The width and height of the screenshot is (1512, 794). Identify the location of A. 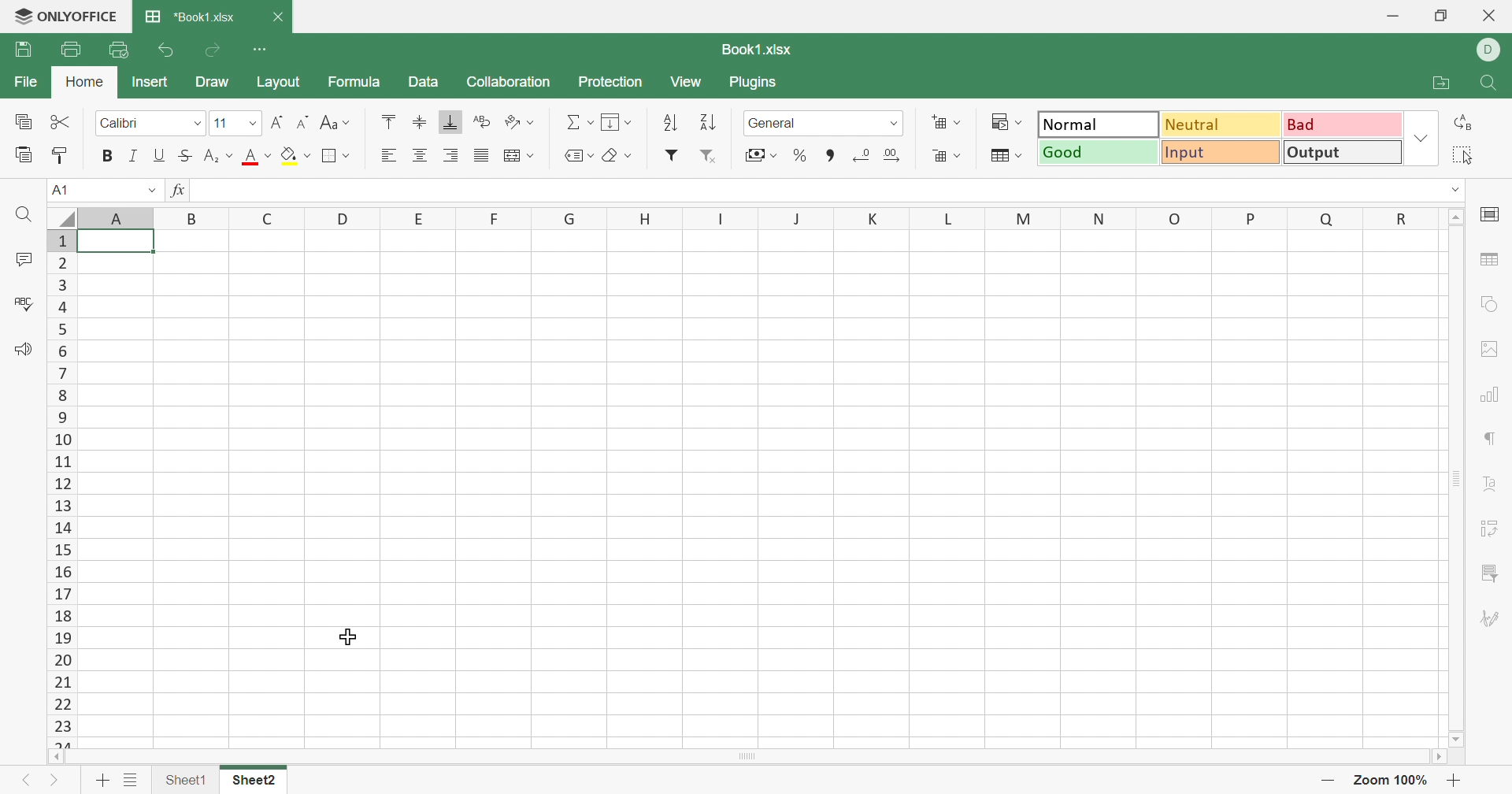
(114, 216).